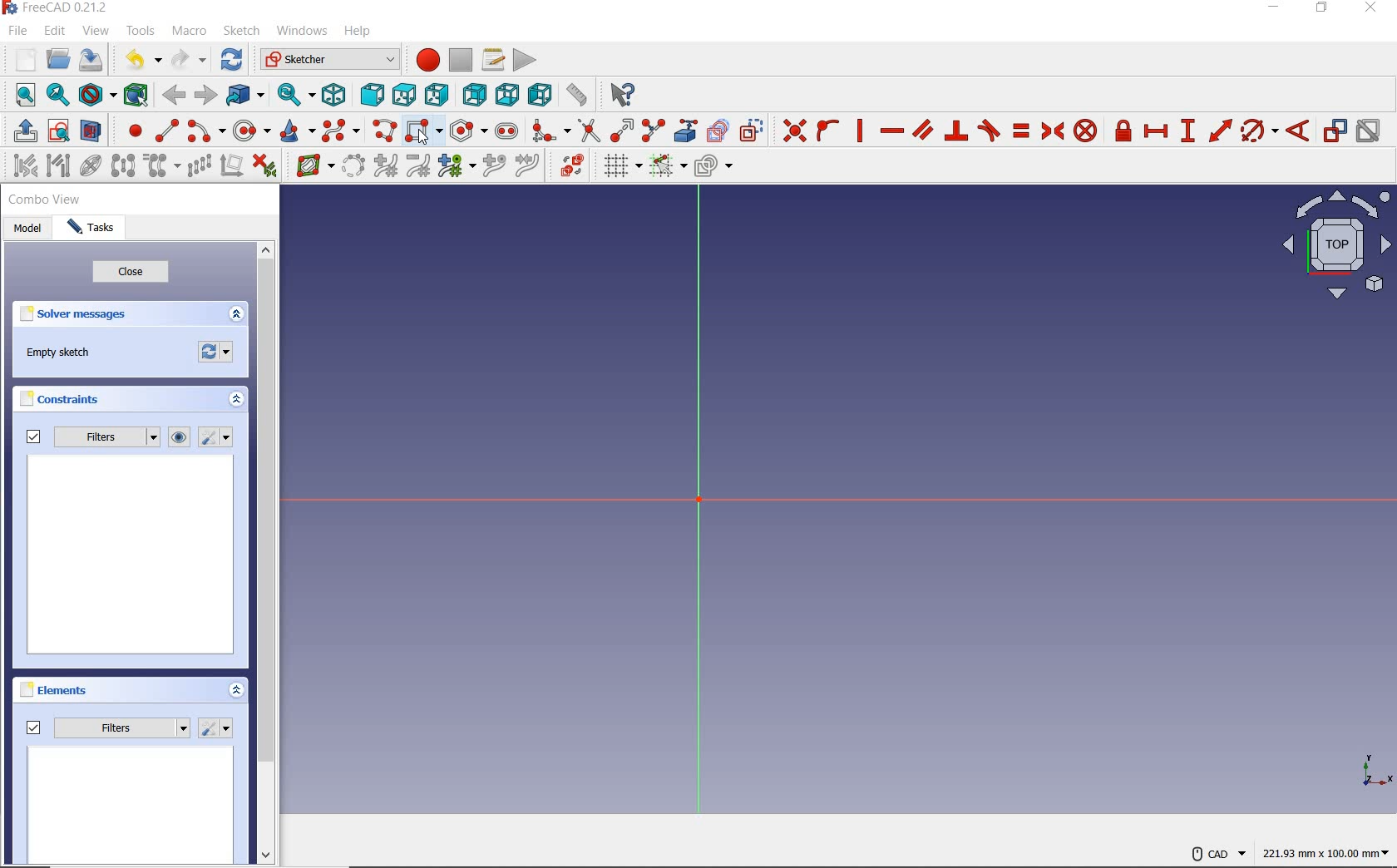 The width and height of the screenshot is (1397, 868). Describe the element at coordinates (1366, 769) in the screenshot. I see `xy` at that location.